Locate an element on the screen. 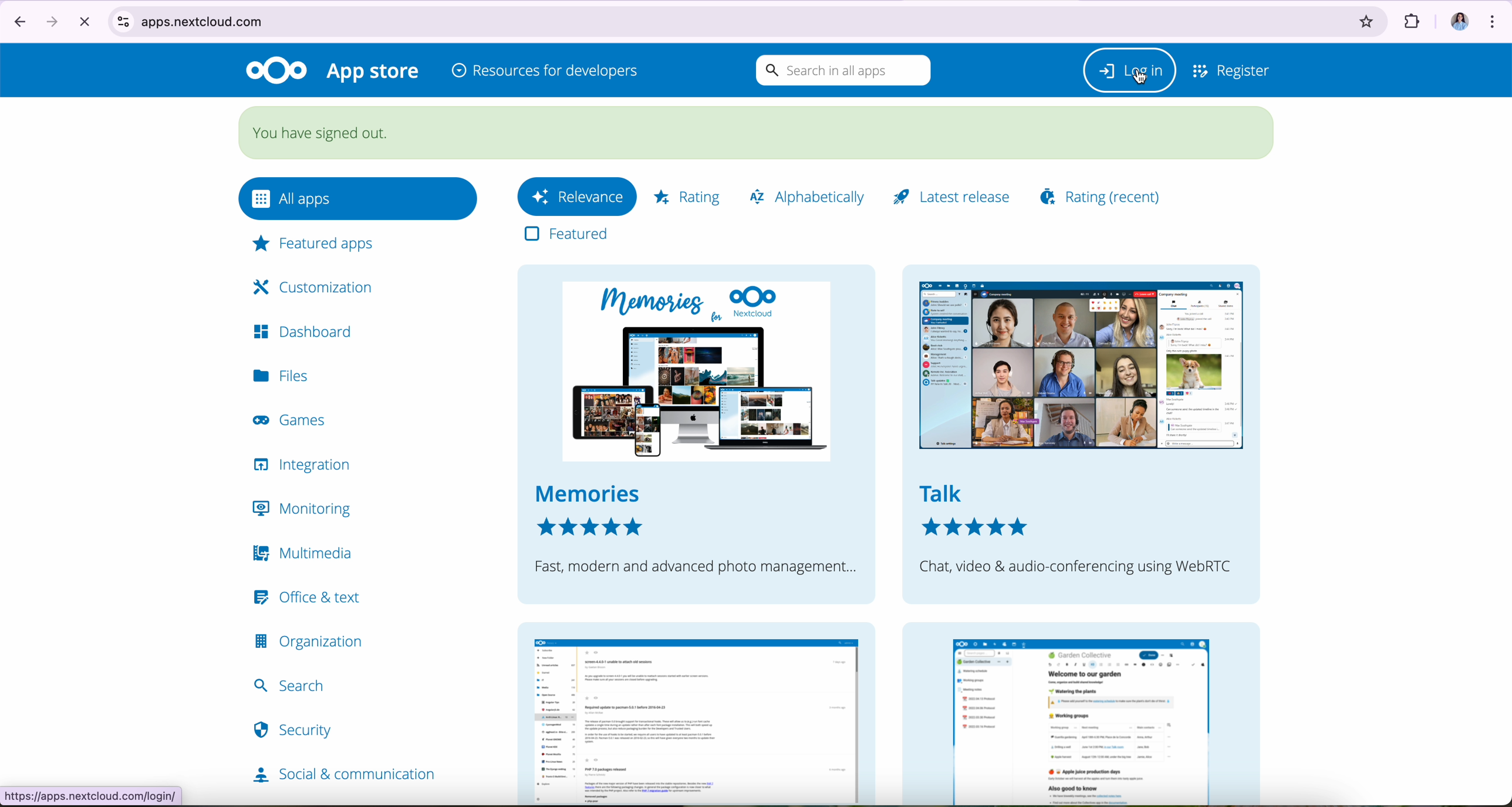 The width and height of the screenshot is (1512, 807). integration is located at coordinates (303, 464).